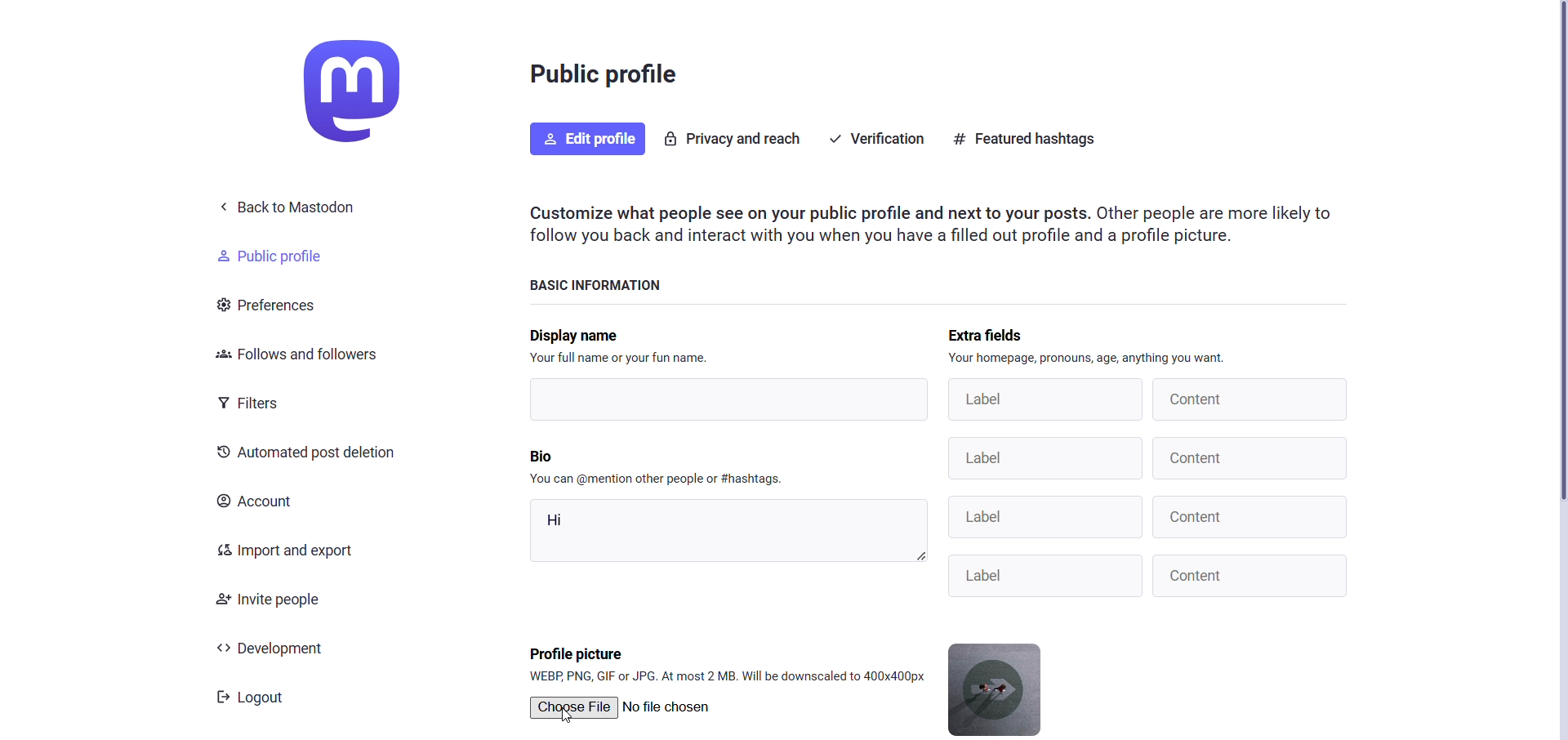  I want to click on logout, so click(254, 695).